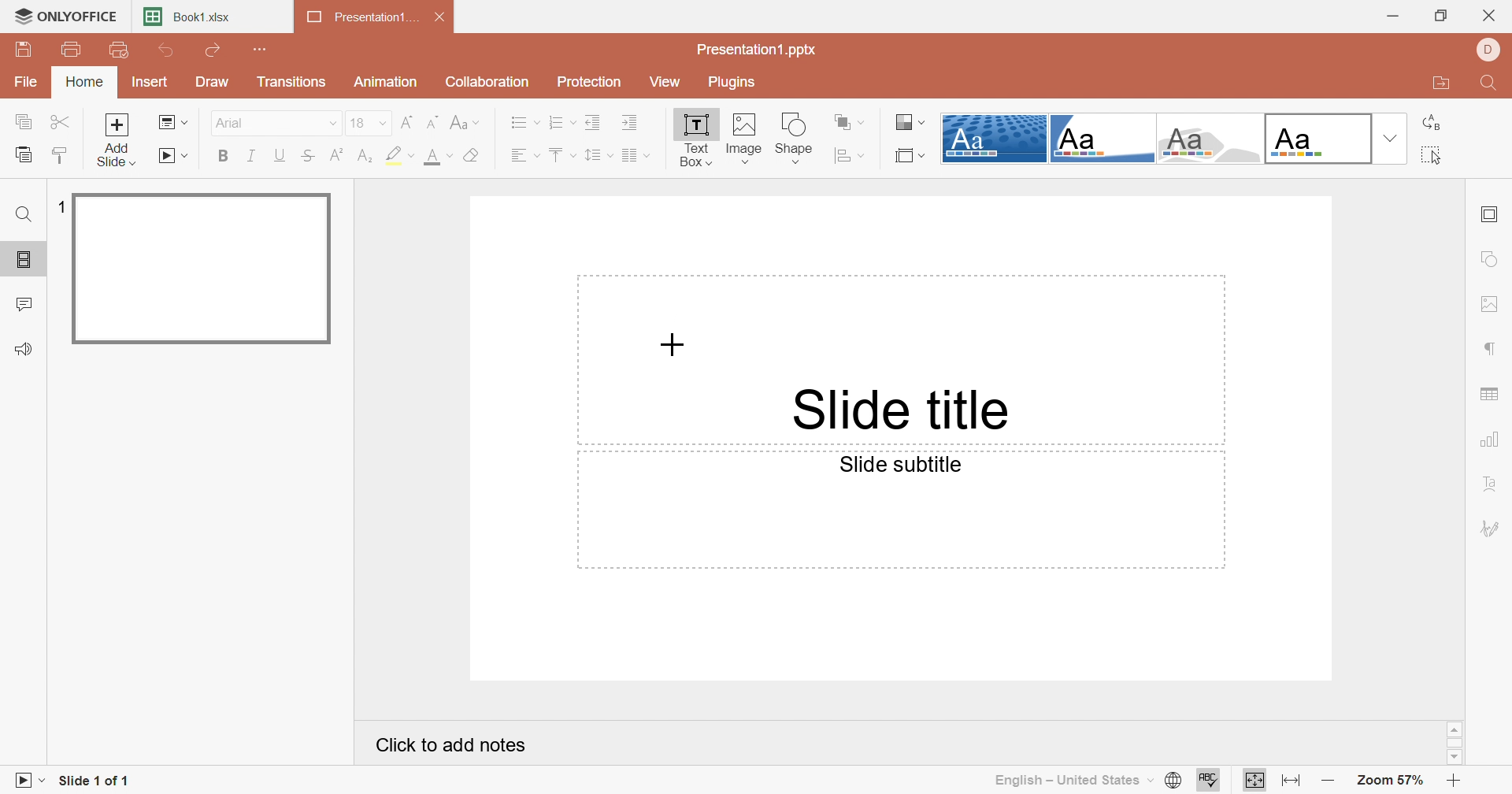 This screenshot has height=794, width=1512. What do you see at coordinates (911, 154) in the screenshot?
I see `Select slide size` at bounding box center [911, 154].